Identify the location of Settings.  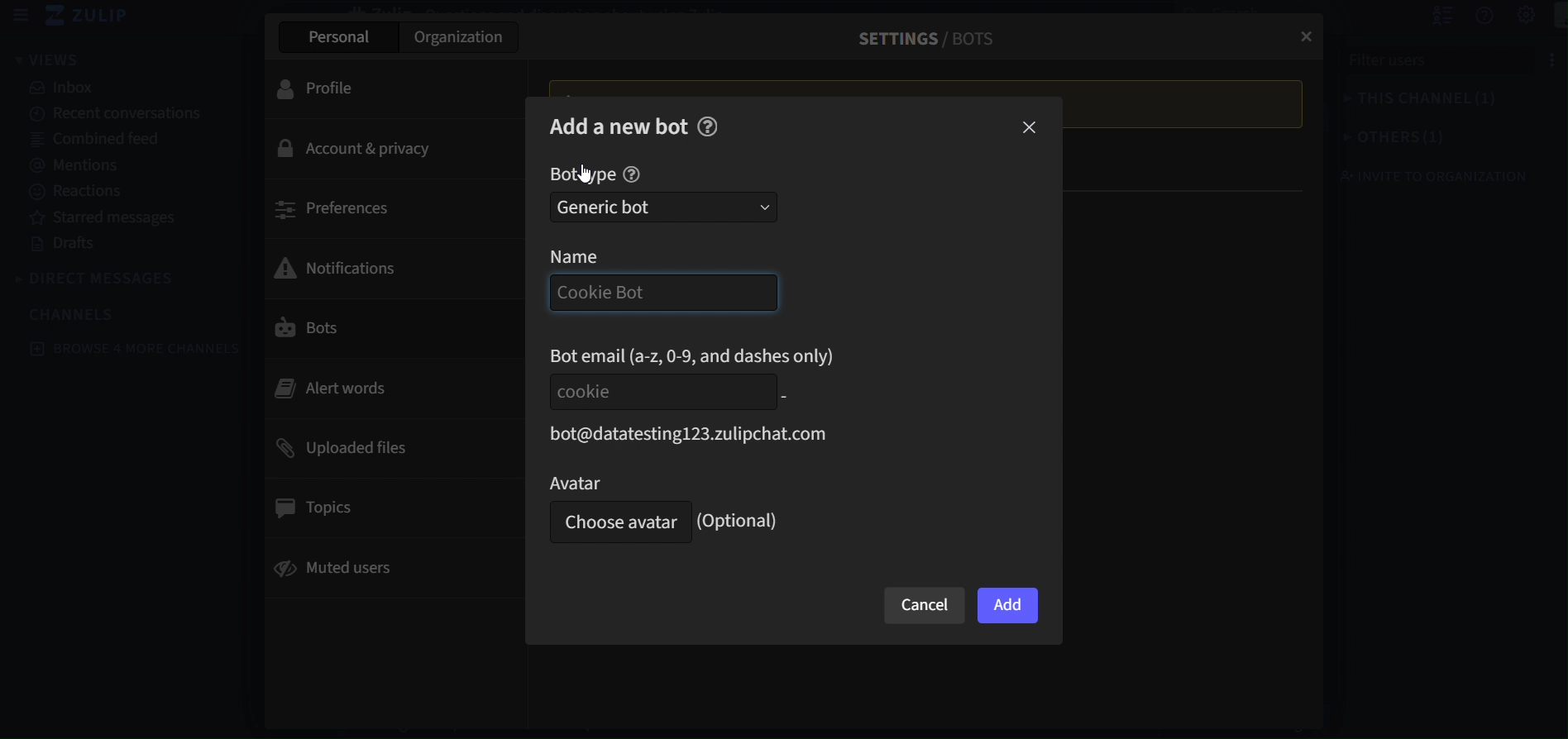
(1509, 16).